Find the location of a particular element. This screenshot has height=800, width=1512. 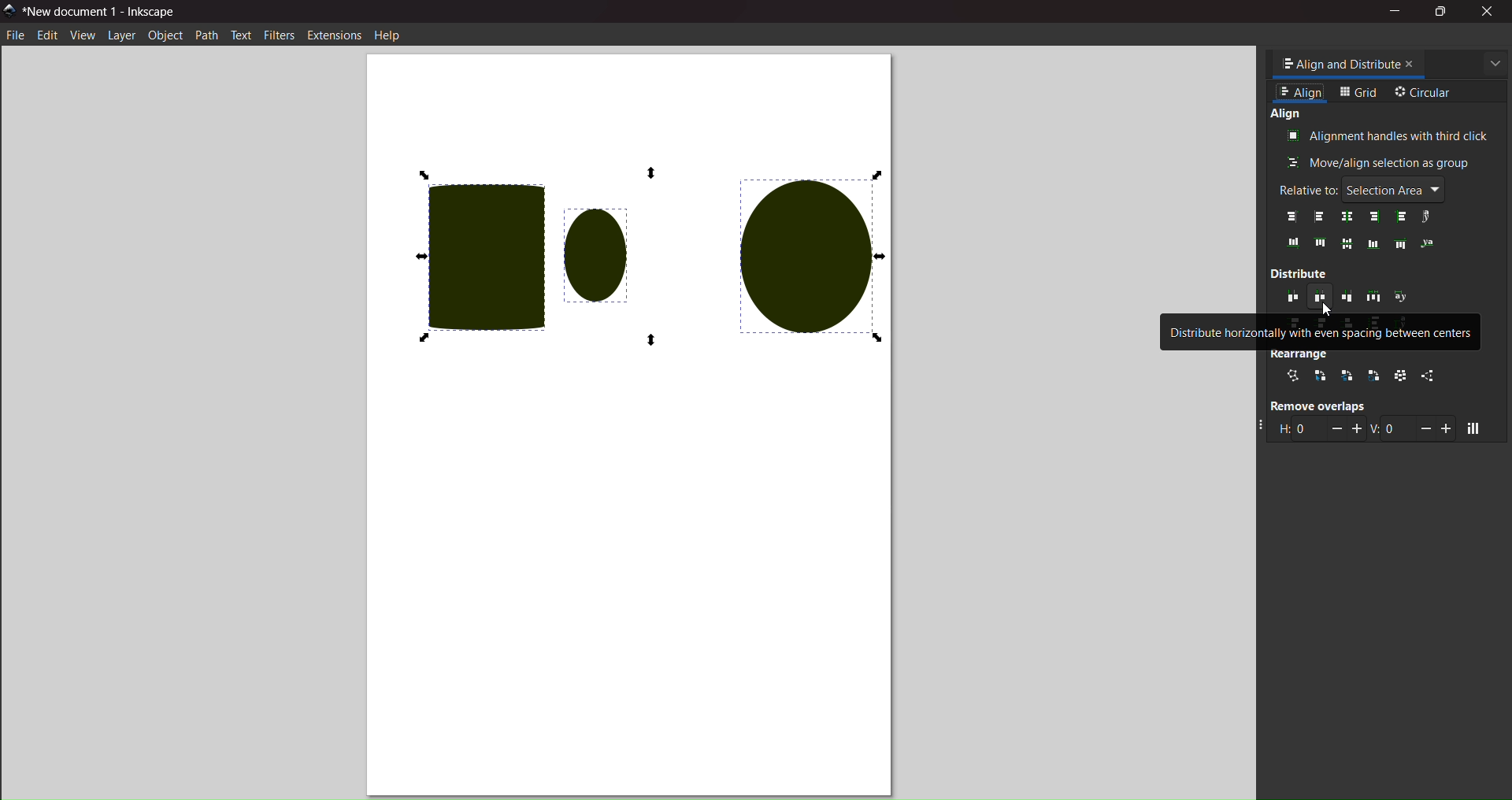

align left is located at coordinates (1317, 217).